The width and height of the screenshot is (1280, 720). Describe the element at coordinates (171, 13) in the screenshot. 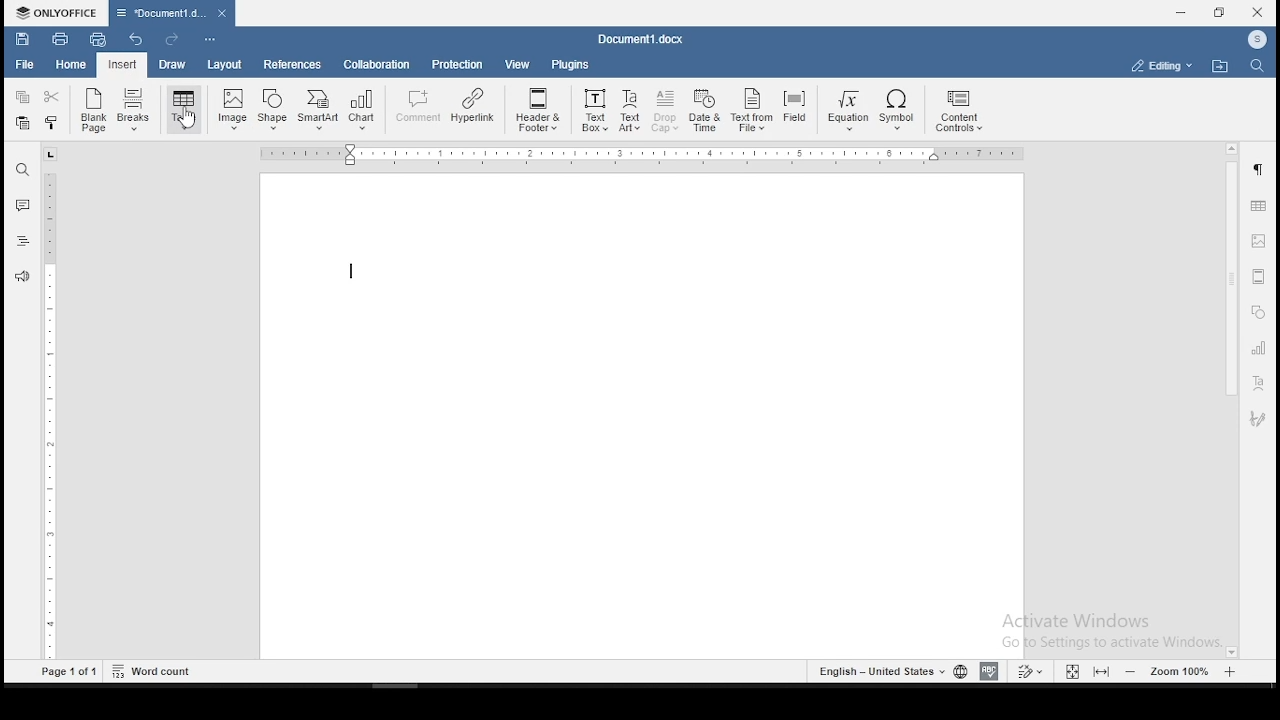

I see `Document3.docx` at that location.